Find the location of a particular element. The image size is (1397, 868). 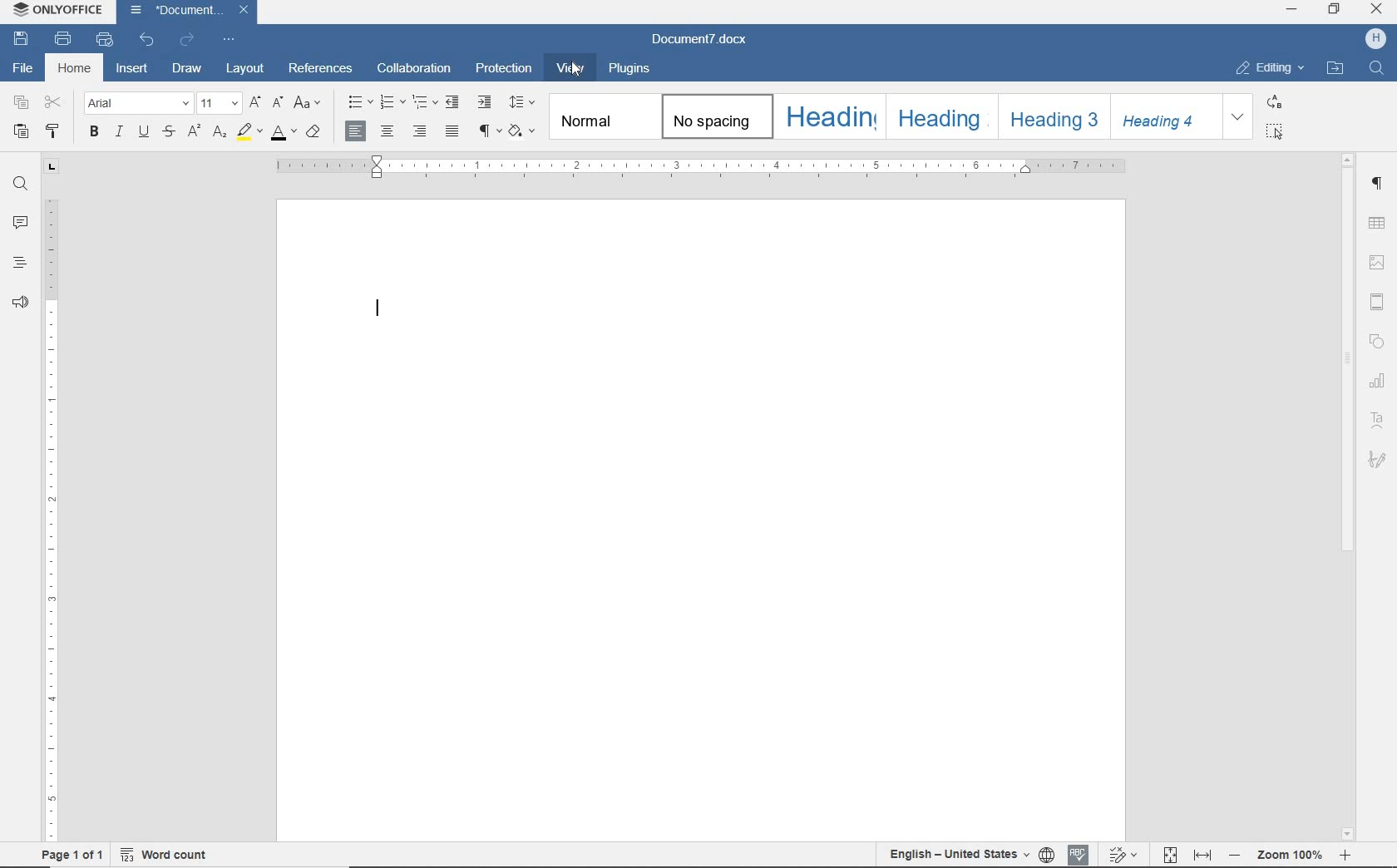

PASTE is located at coordinates (20, 131).